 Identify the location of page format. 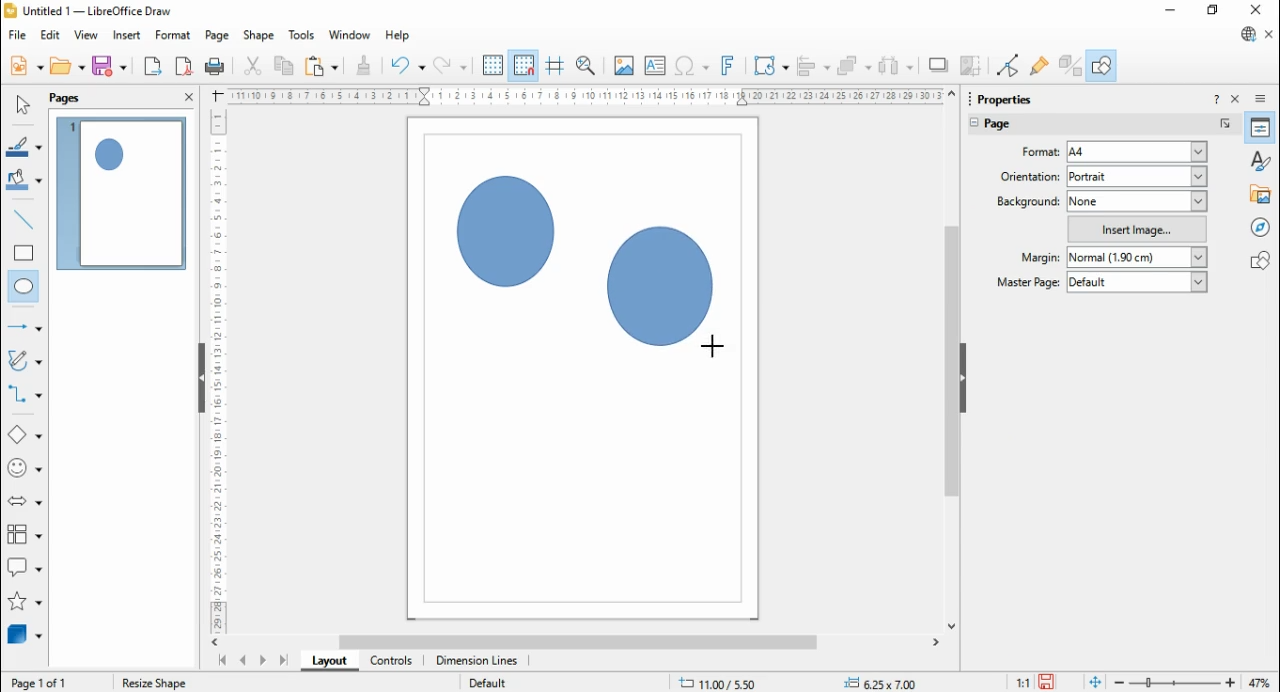
(1034, 152).